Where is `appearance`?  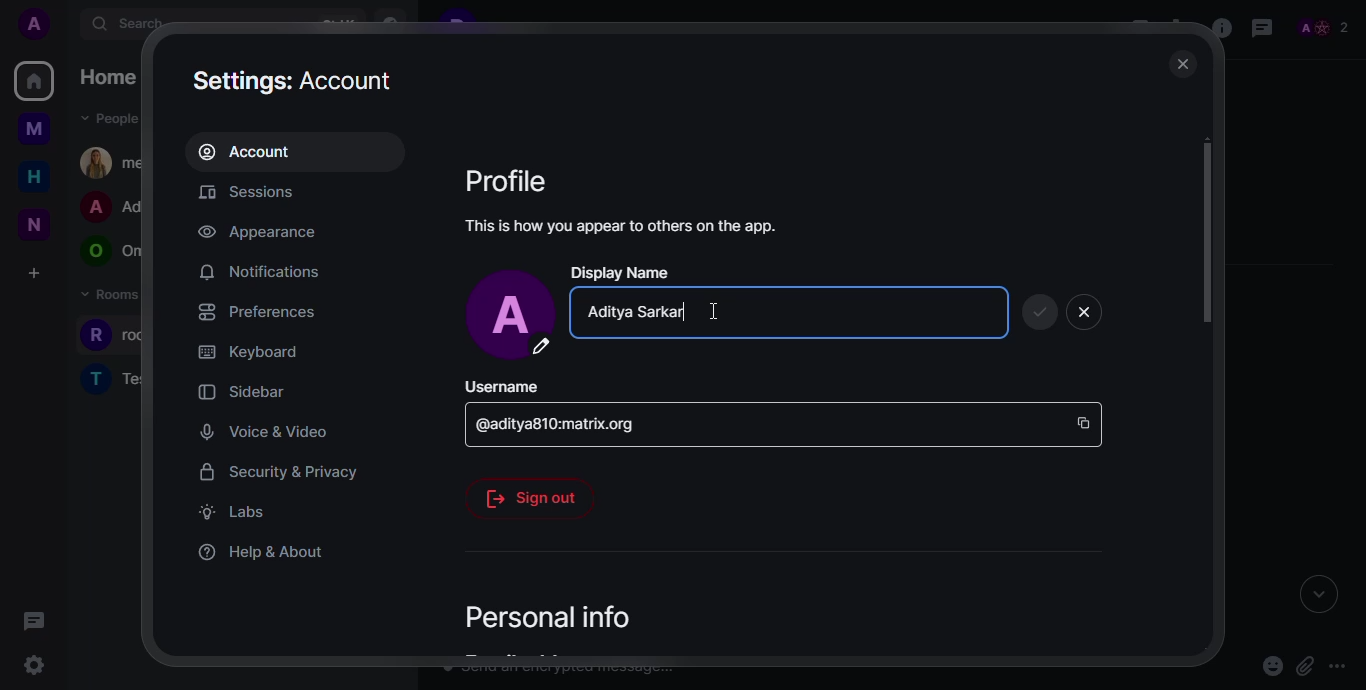
appearance is located at coordinates (259, 232).